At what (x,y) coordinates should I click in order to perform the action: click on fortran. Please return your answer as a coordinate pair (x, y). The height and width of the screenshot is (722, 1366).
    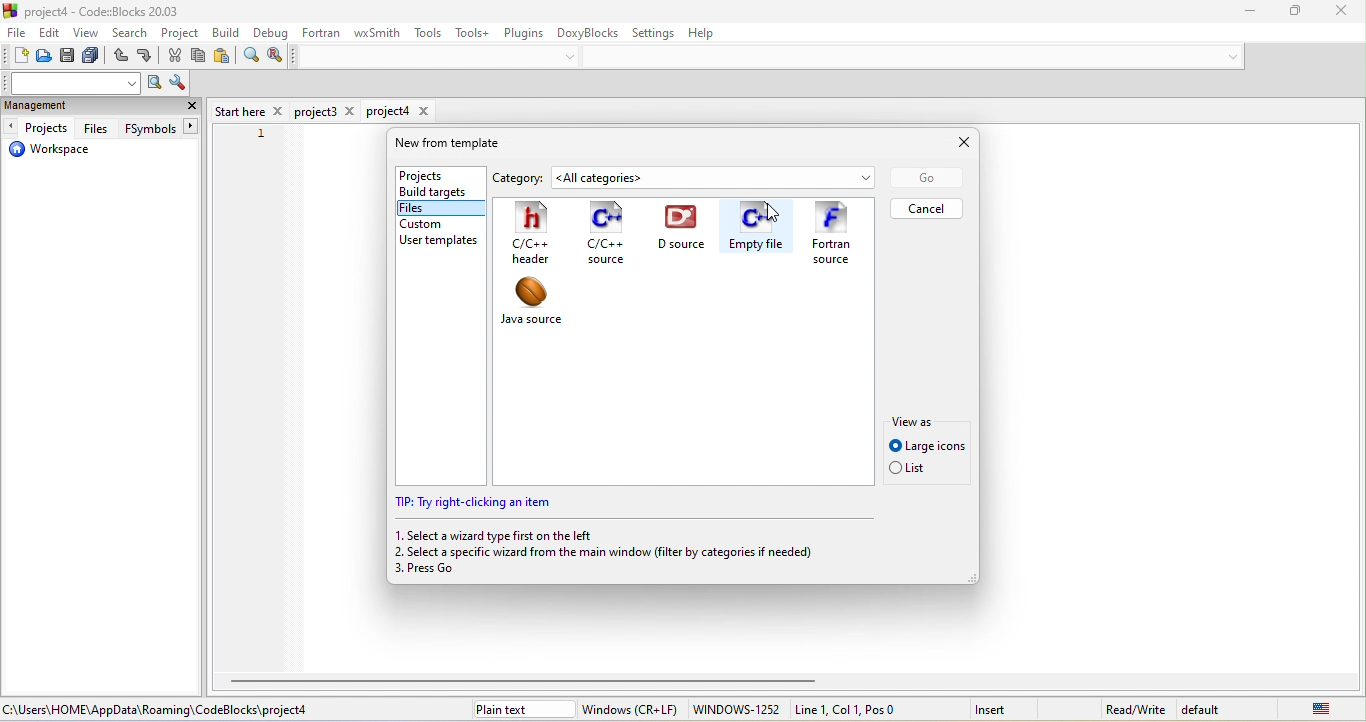
    Looking at the image, I should click on (322, 32).